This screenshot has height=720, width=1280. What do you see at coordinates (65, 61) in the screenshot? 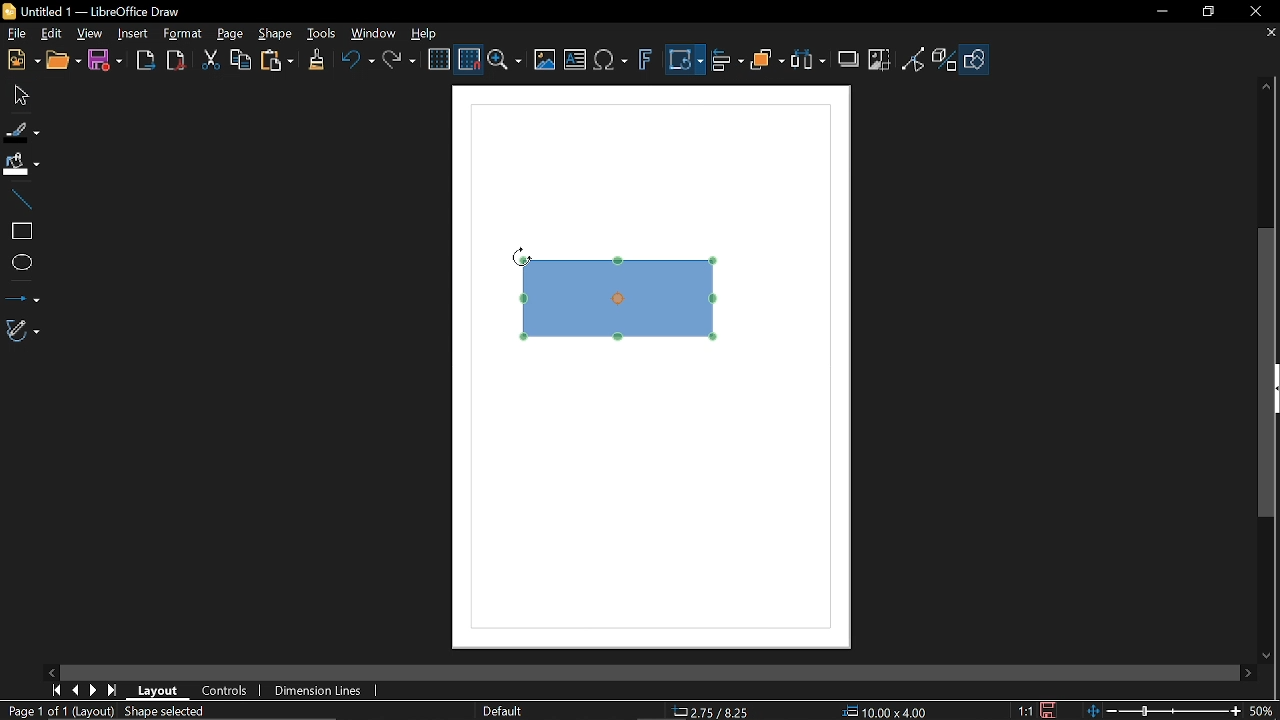
I see `Open` at bounding box center [65, 61].